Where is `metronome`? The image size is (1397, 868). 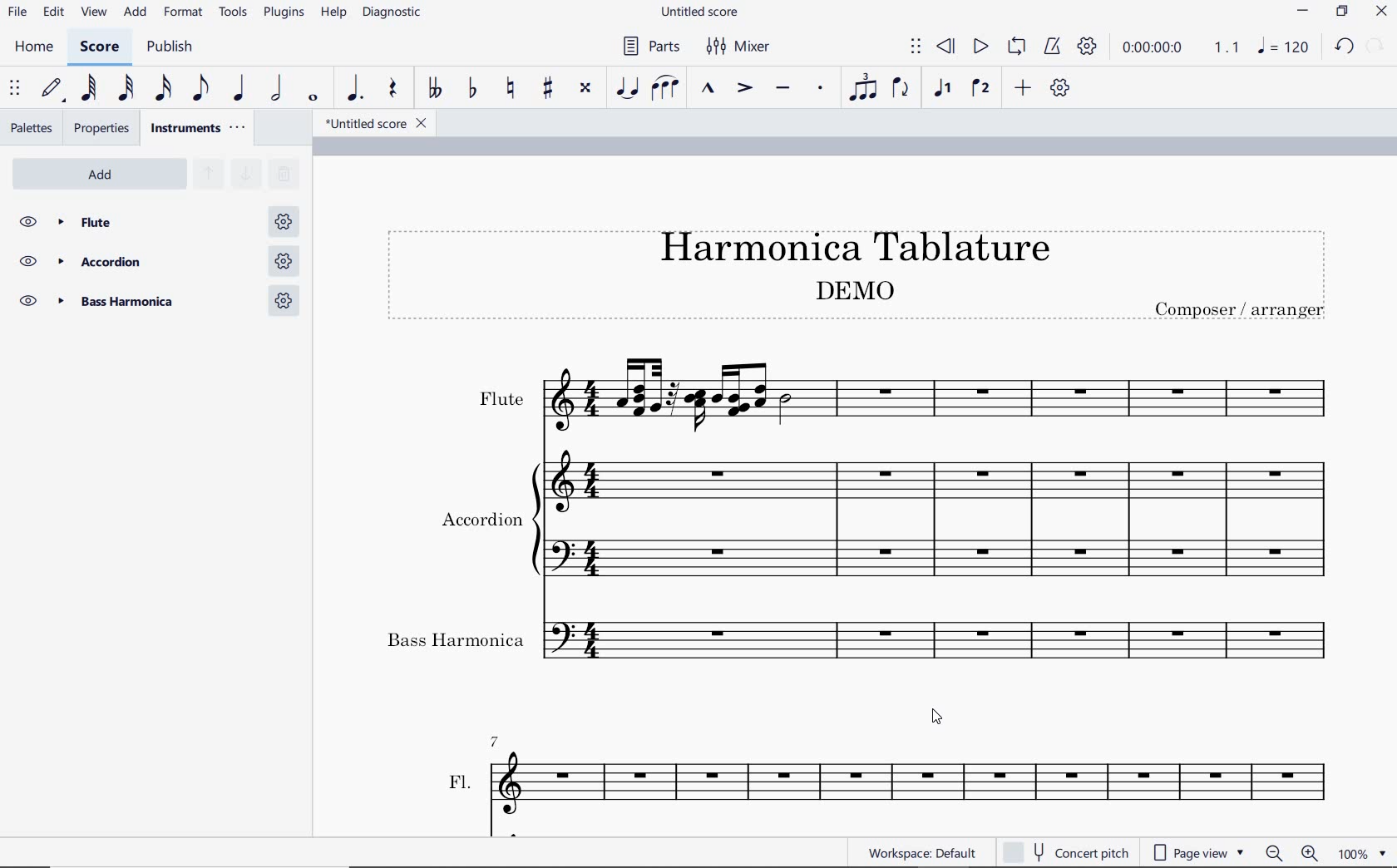
metronome is located at coordinates (1051, 47).